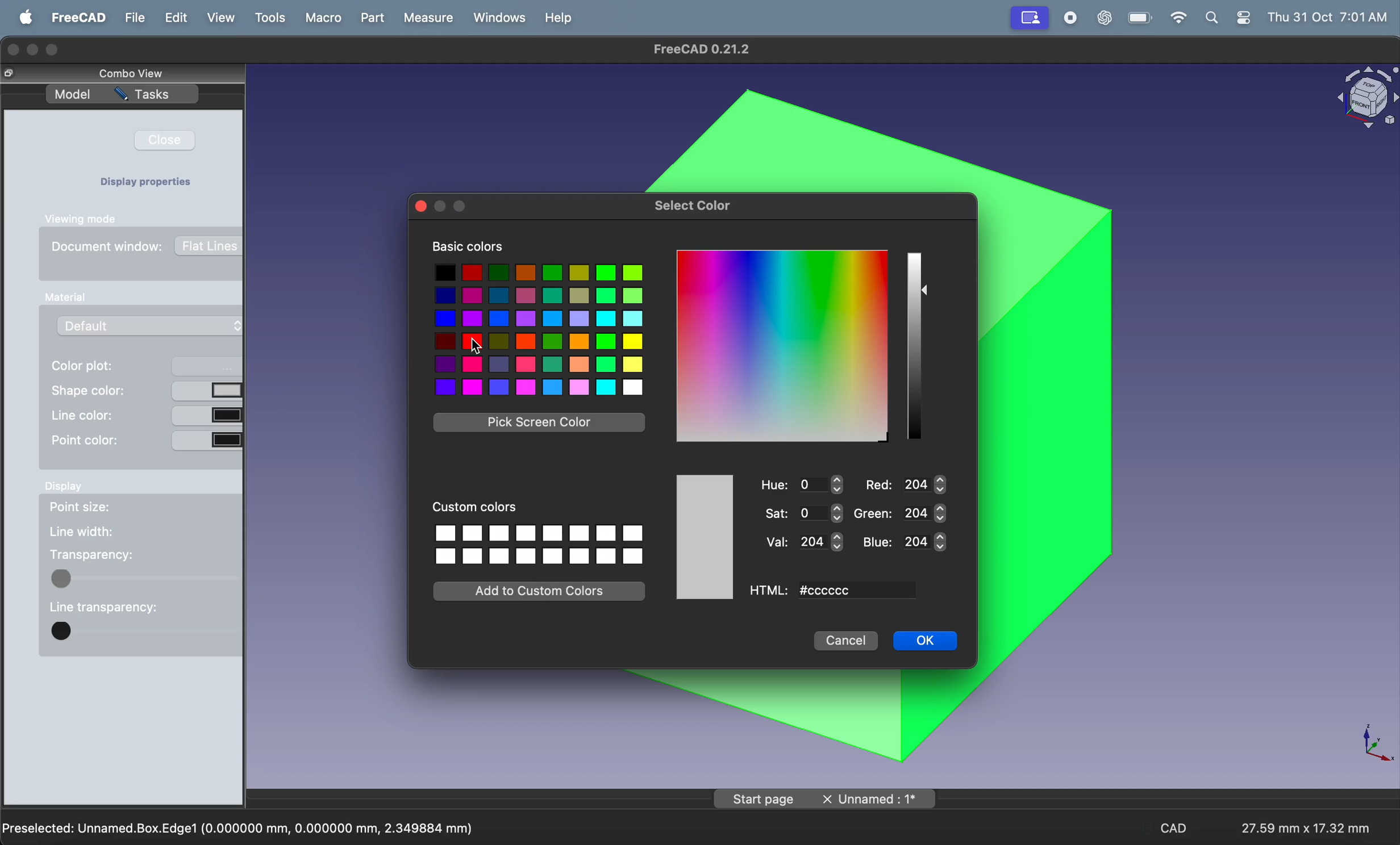  What do you see at coordinates (847, 642) in the screenshot?
I see `cancel` at bounding box center [847, 642].